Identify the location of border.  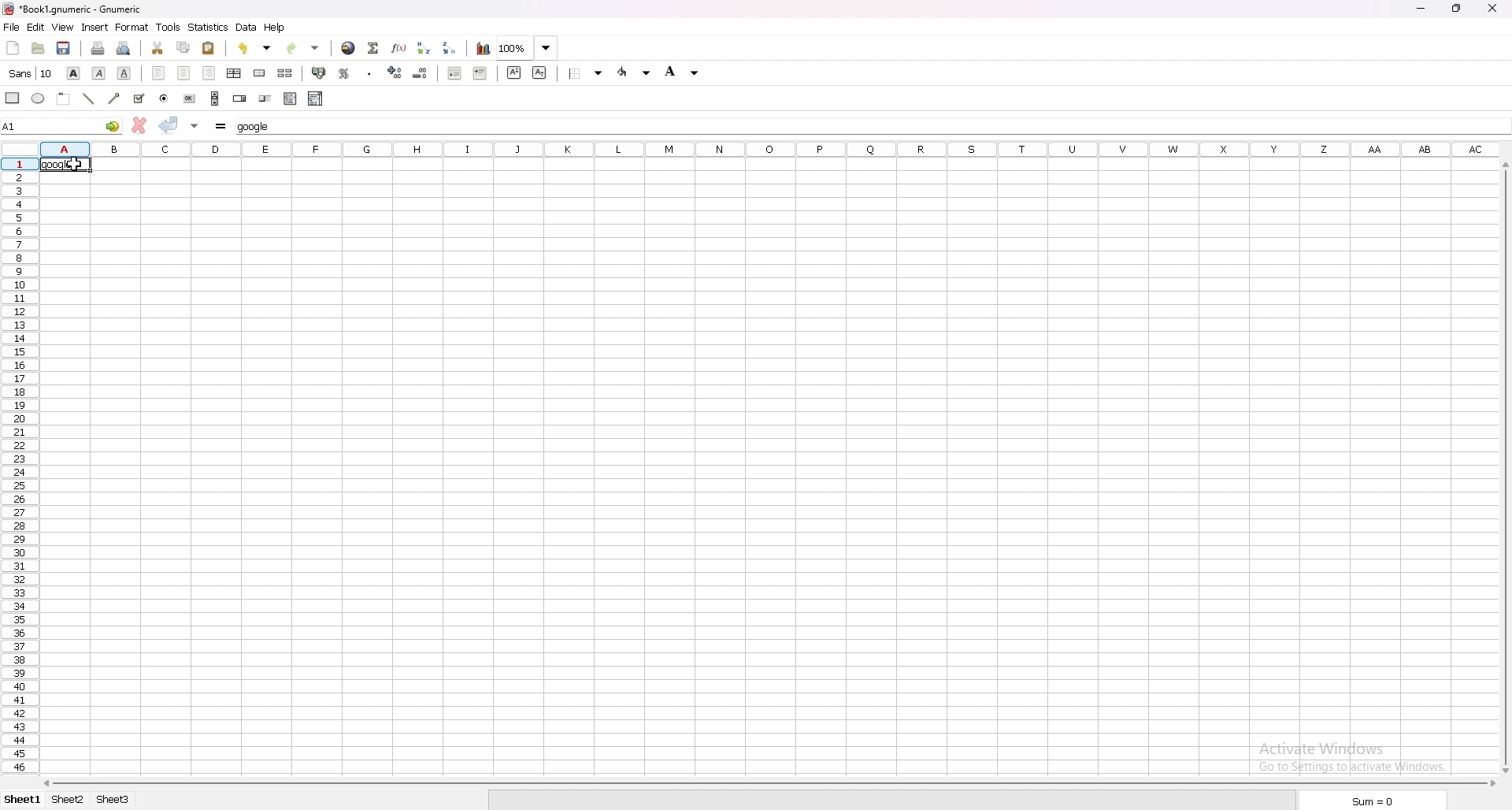
(585, 73).